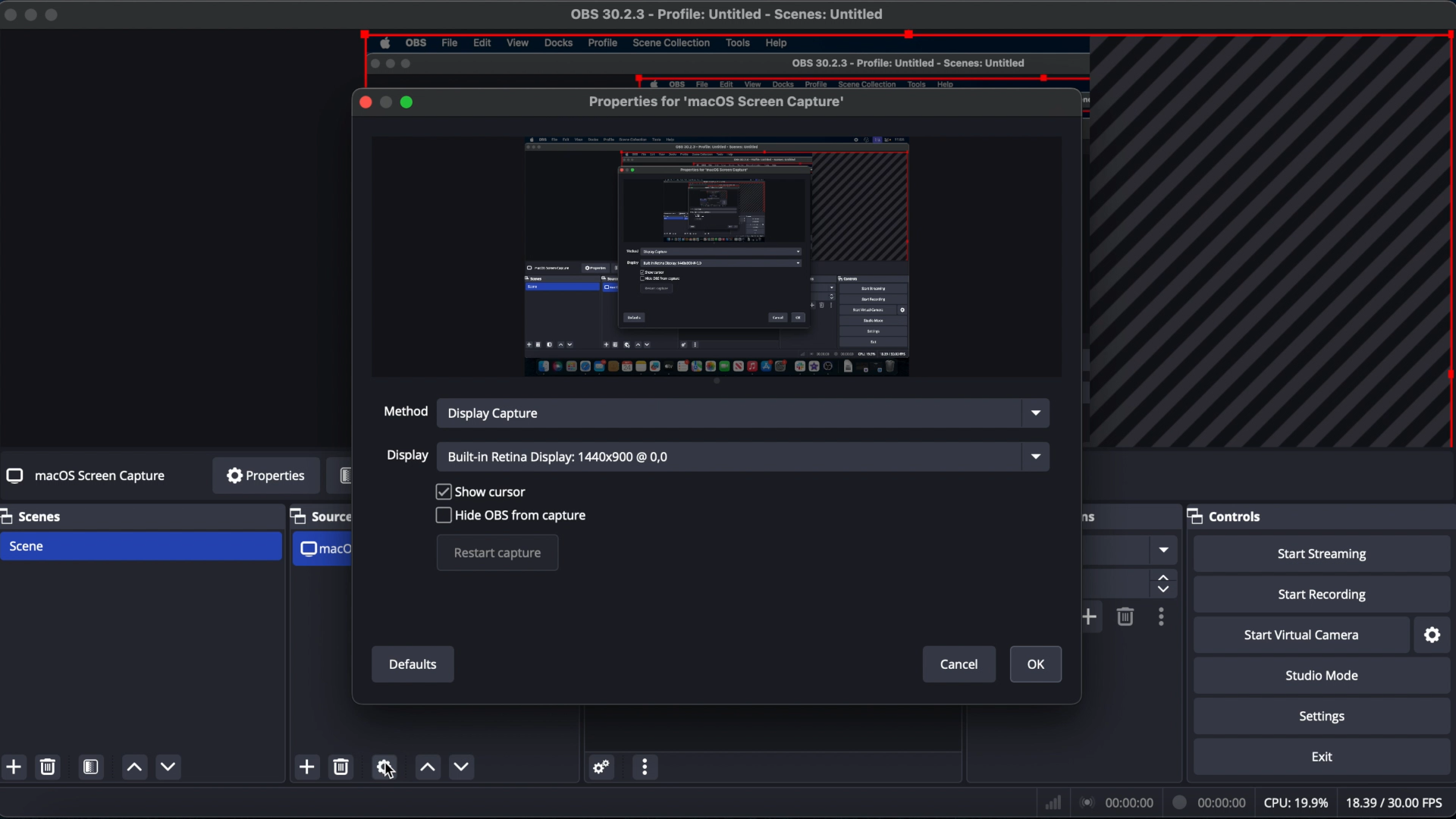  Describe the element at coordinates (29, 15) in the screenshot. I see `minimize` at that location.